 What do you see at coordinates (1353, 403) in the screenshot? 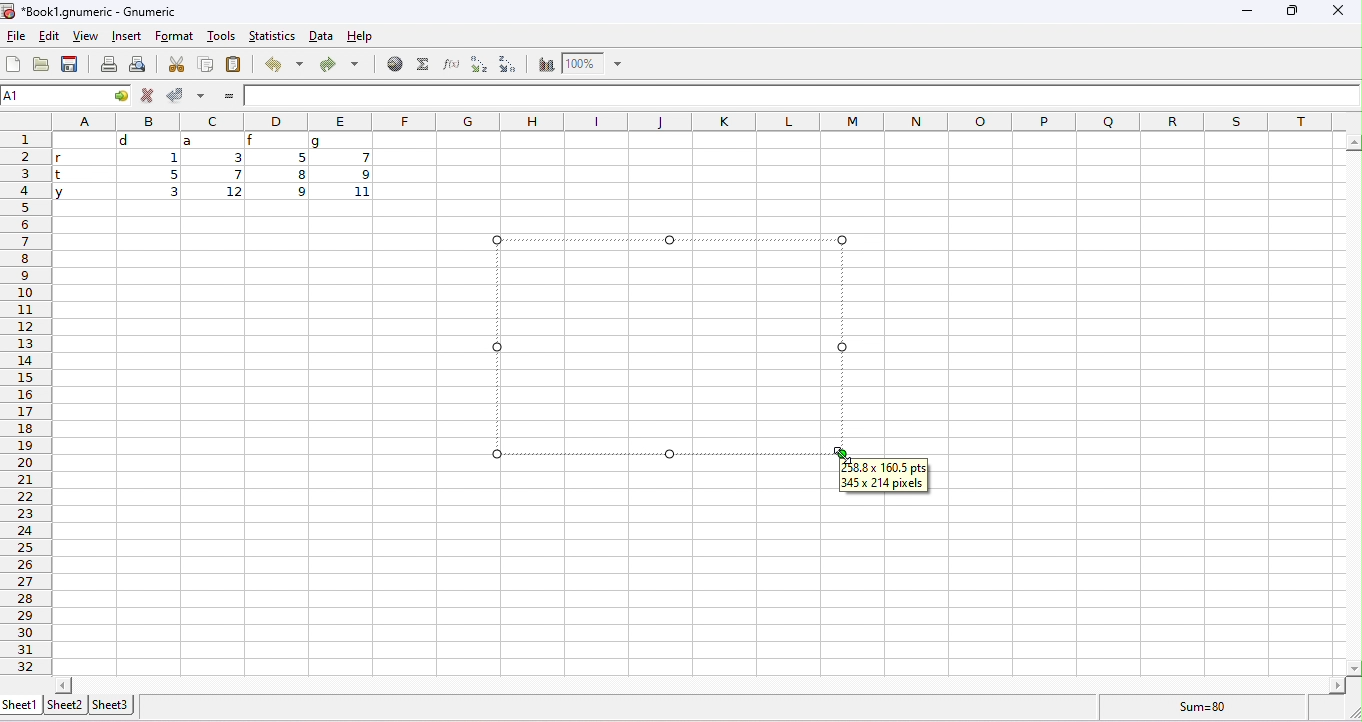
I see `vertical slider` at bounding box center [1353, 403].